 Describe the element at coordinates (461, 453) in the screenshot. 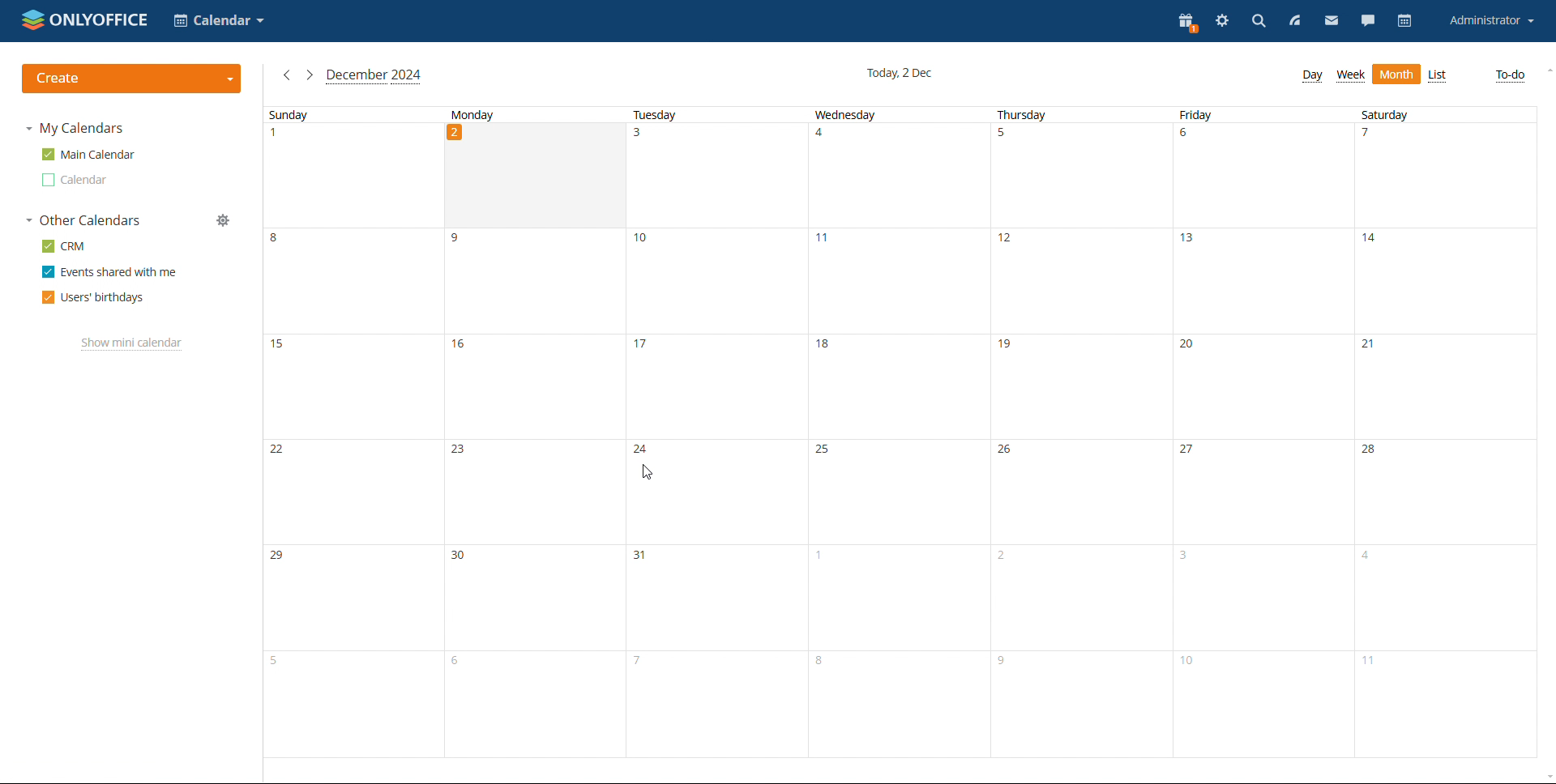

I see `23` at that location.